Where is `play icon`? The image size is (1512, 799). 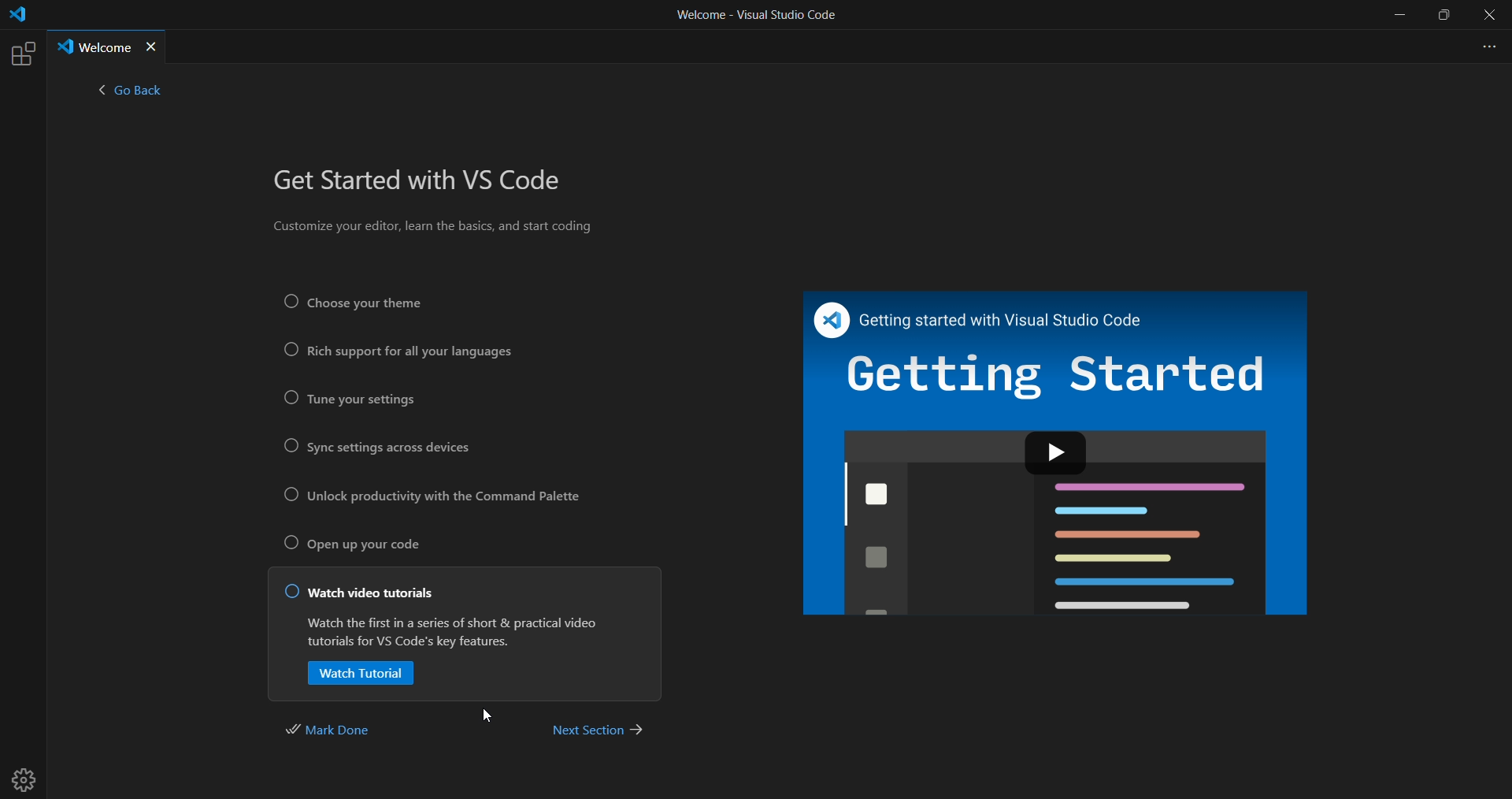 play icon is located at coordinates (1055, 452).